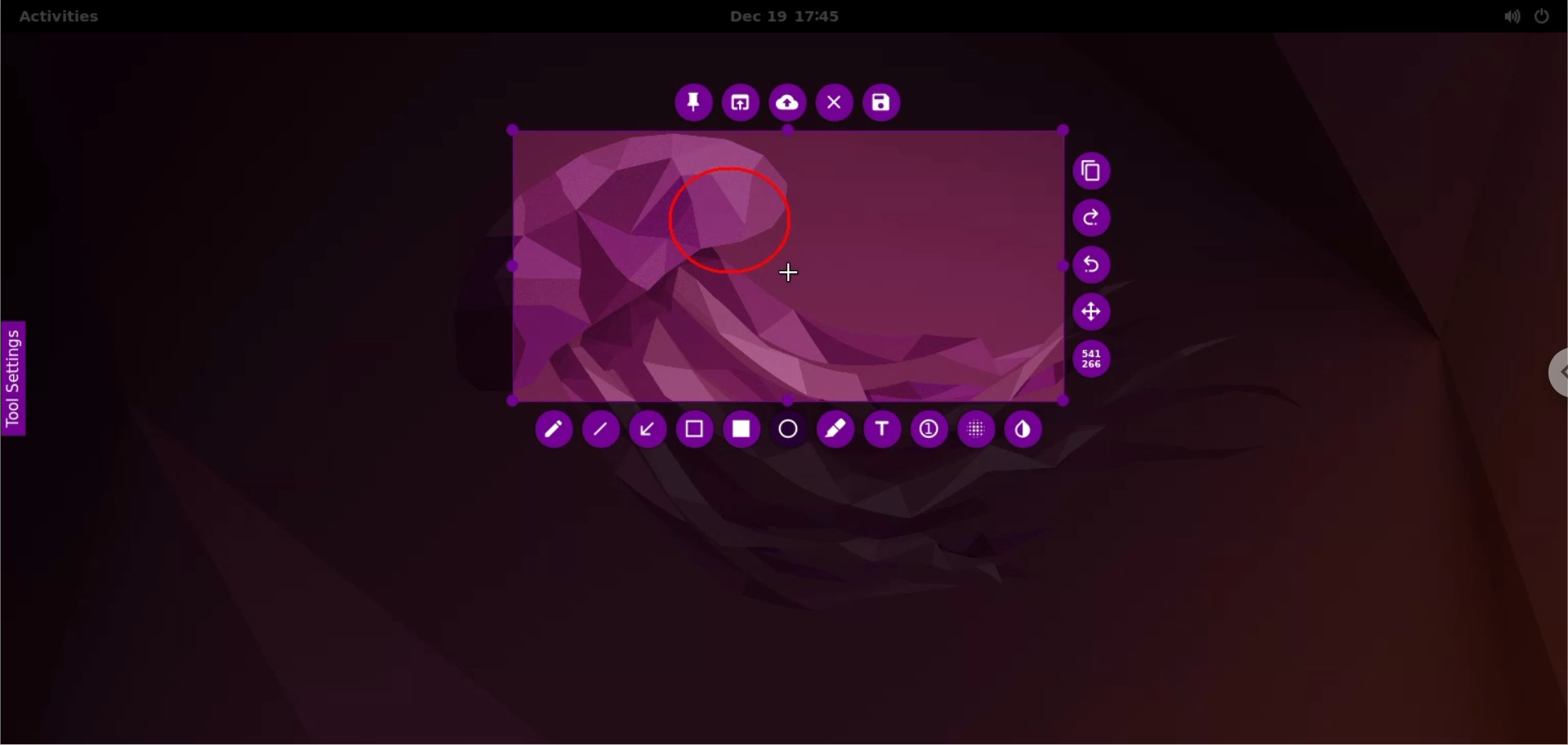 The image size is (1568, 745). What do you see at coordinates (791, 274) in the screenshot?
I see `cursor` at bounding box center [791, 274].